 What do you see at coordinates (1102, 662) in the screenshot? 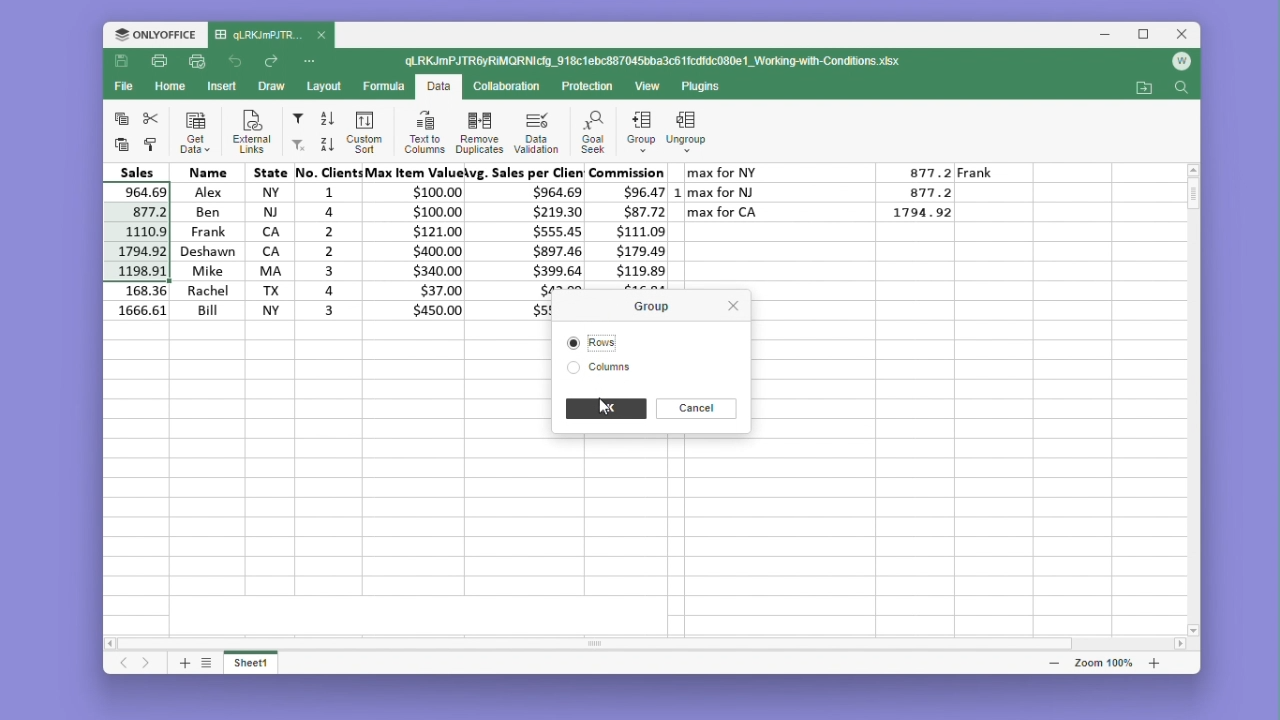
I see `zoom bar` at bounding box center [1102, 662].